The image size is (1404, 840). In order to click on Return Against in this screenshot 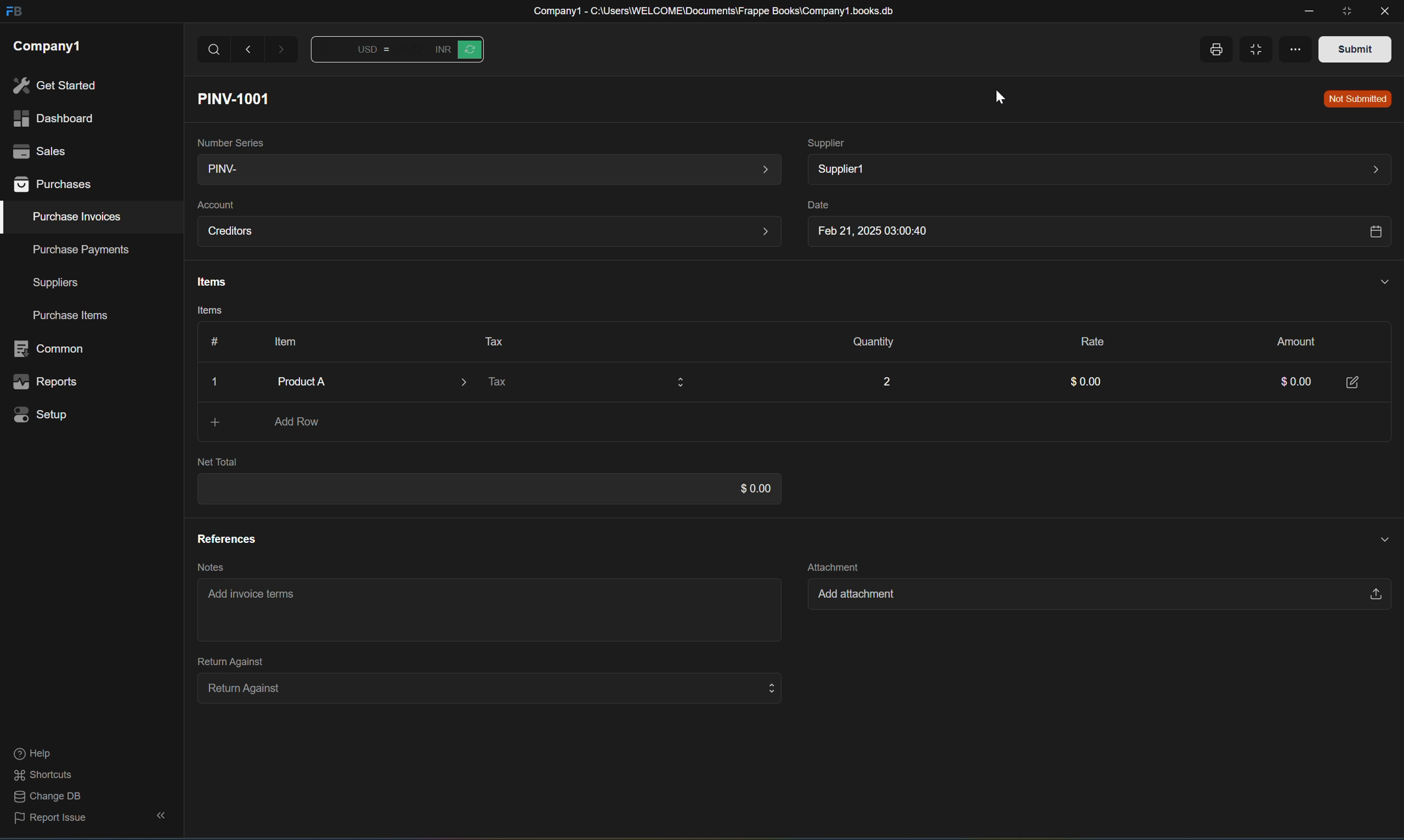, I will do `click(483, 687)`.